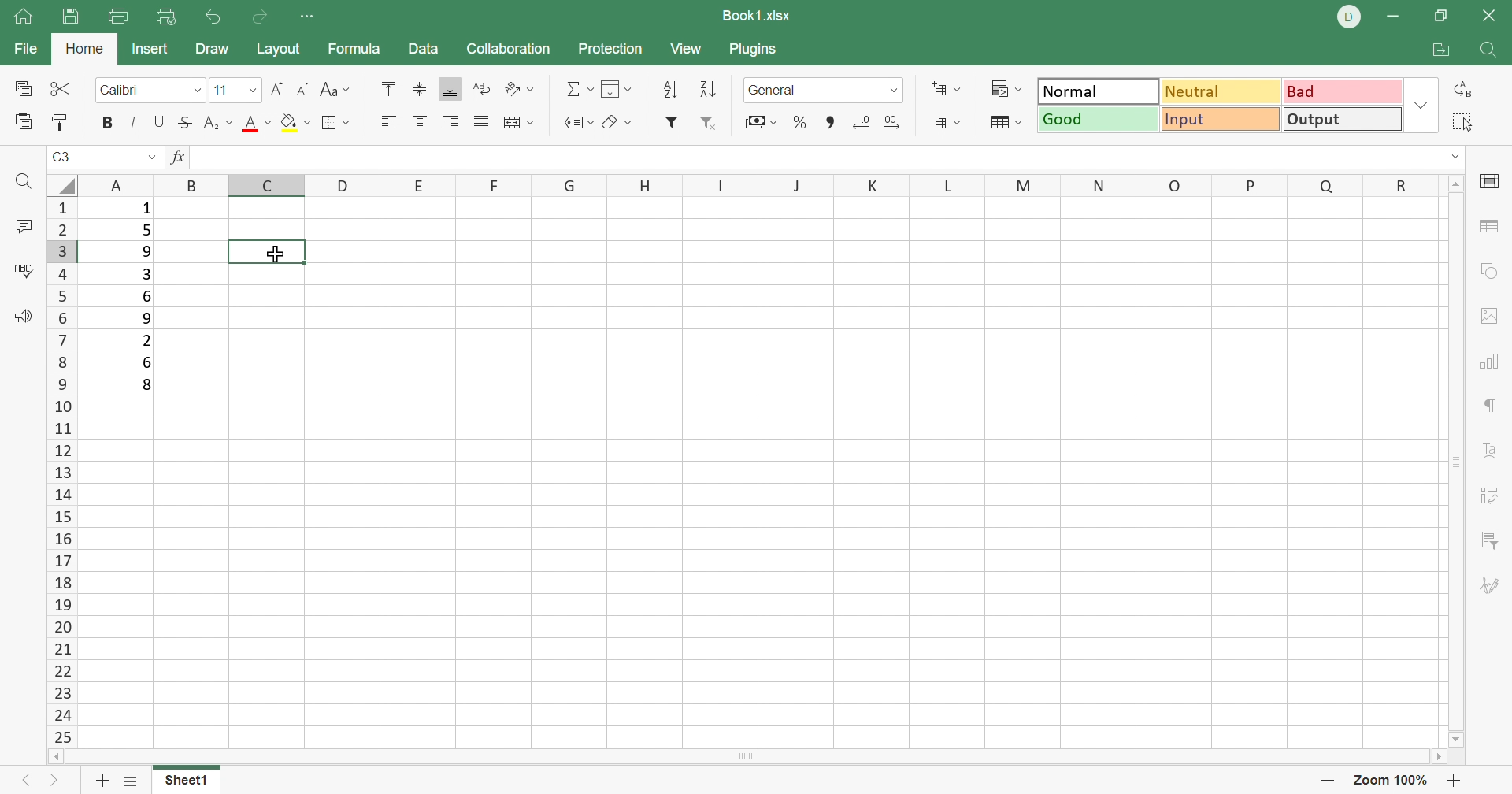 Image resolution: width=1512 pixels, height=794 pixels. Describe the element at coordinates (1458, 462) in the screenshot. I see `Scroll Bar` at that location.